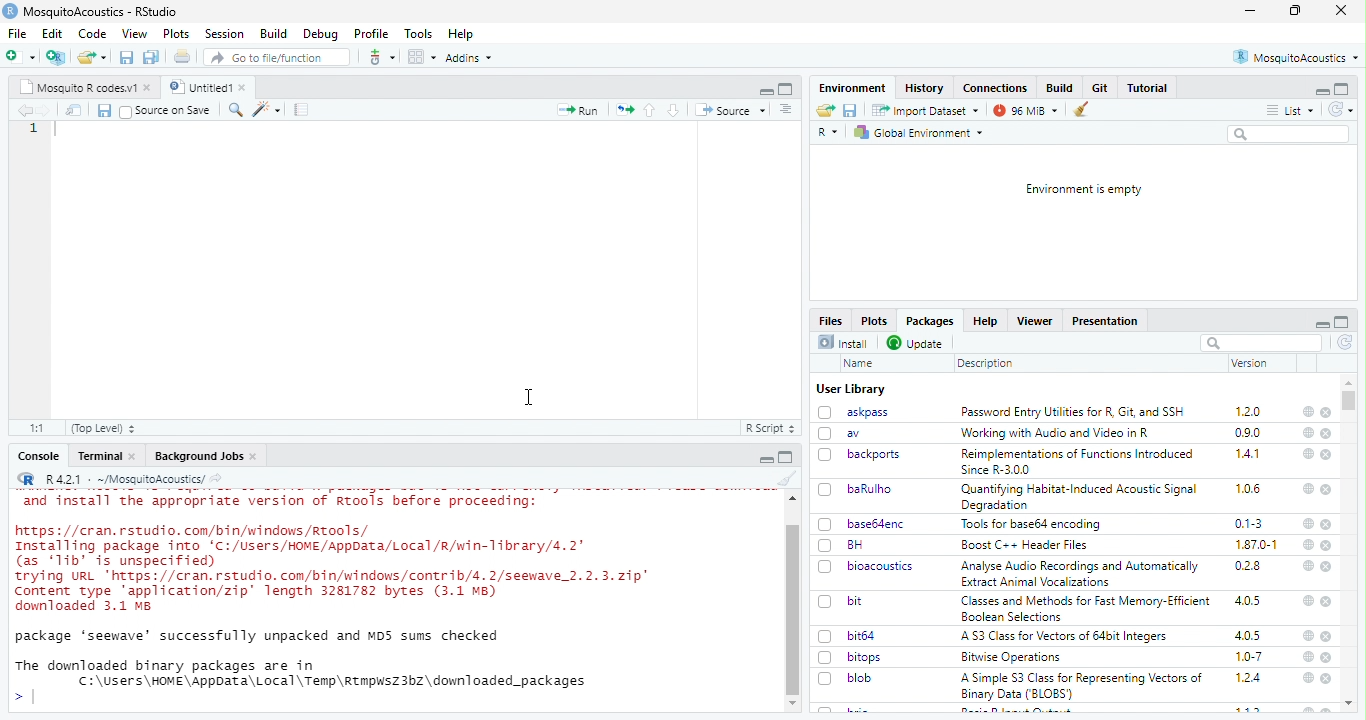 The height and width of the screenshot is (720, 1366). I want to click on Help, so click(985, 321).